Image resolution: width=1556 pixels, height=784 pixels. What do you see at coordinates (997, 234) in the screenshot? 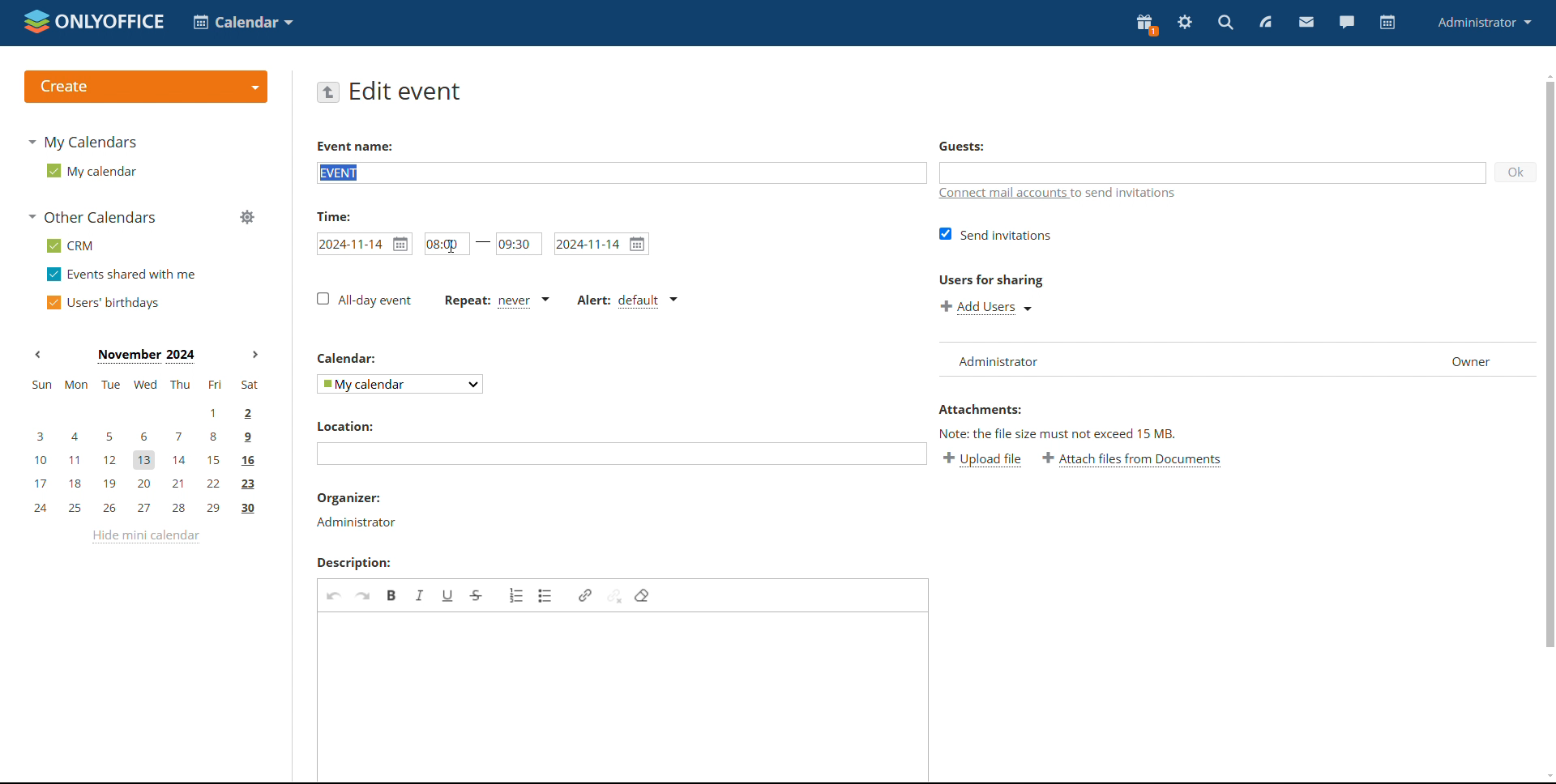
I see `send invitations` at bounding box center [997, 234].